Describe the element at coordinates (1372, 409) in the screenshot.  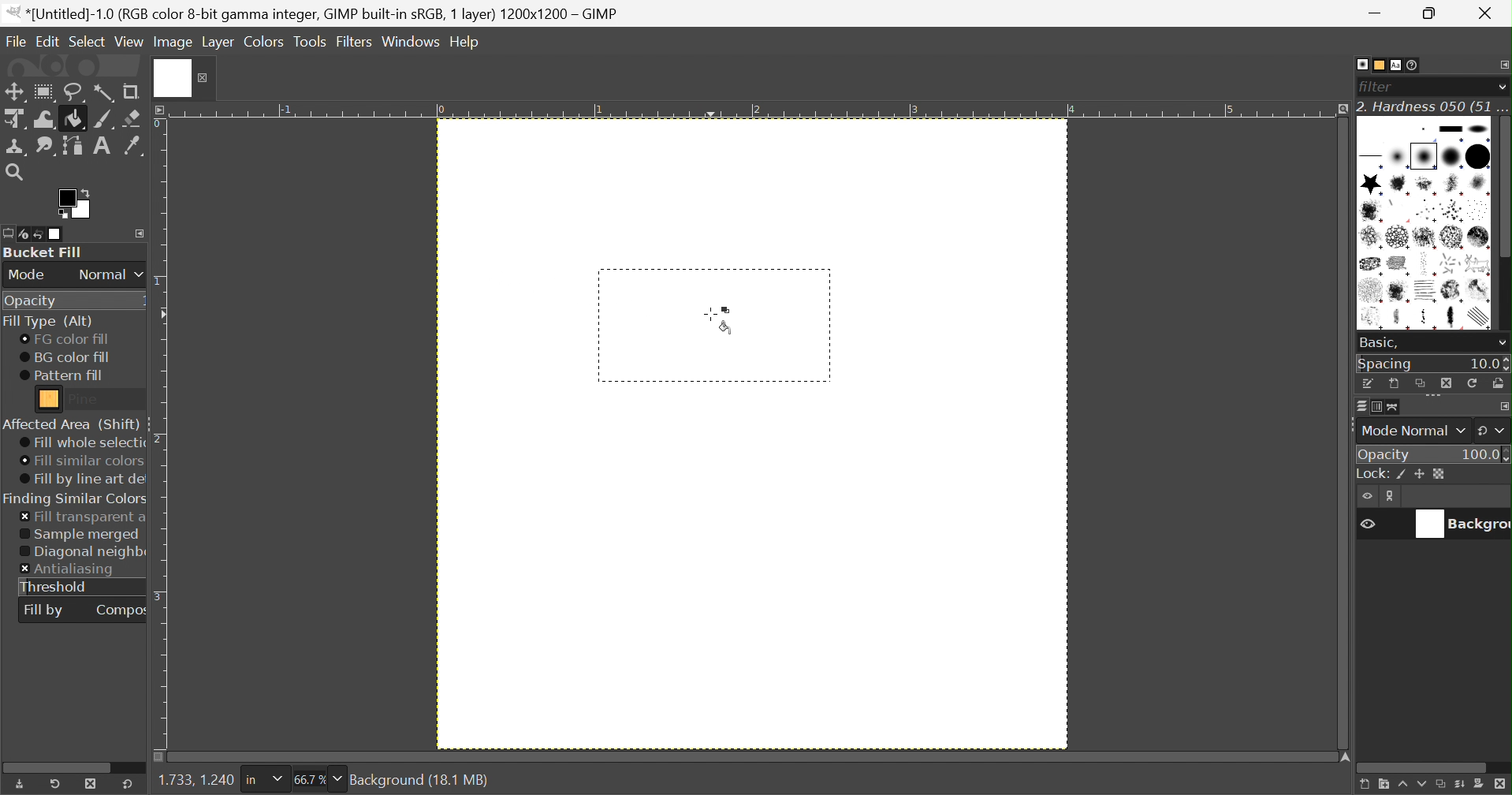
I see `Channels` at that location.